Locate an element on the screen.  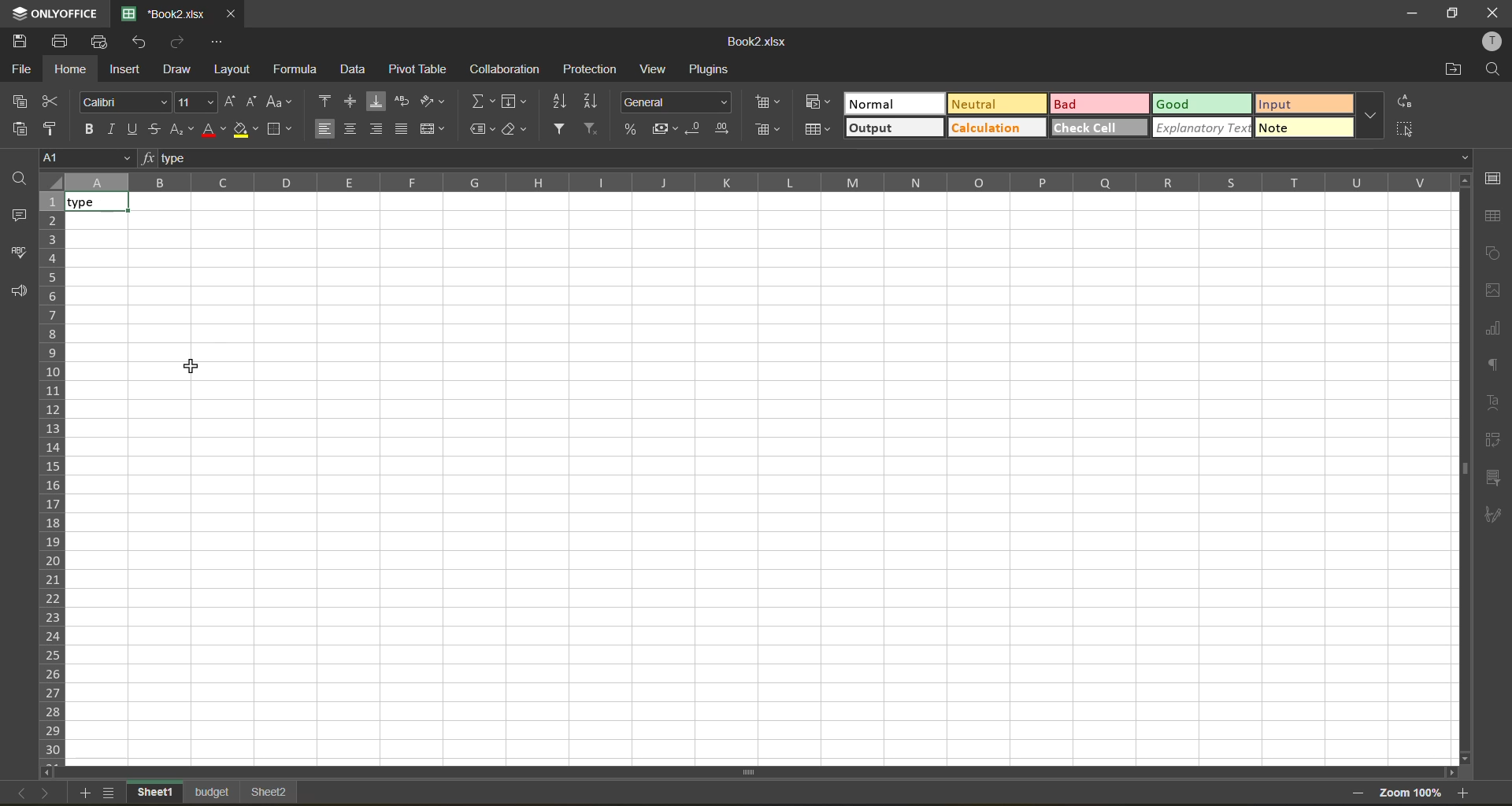
home is located at coordinates (71, 68).